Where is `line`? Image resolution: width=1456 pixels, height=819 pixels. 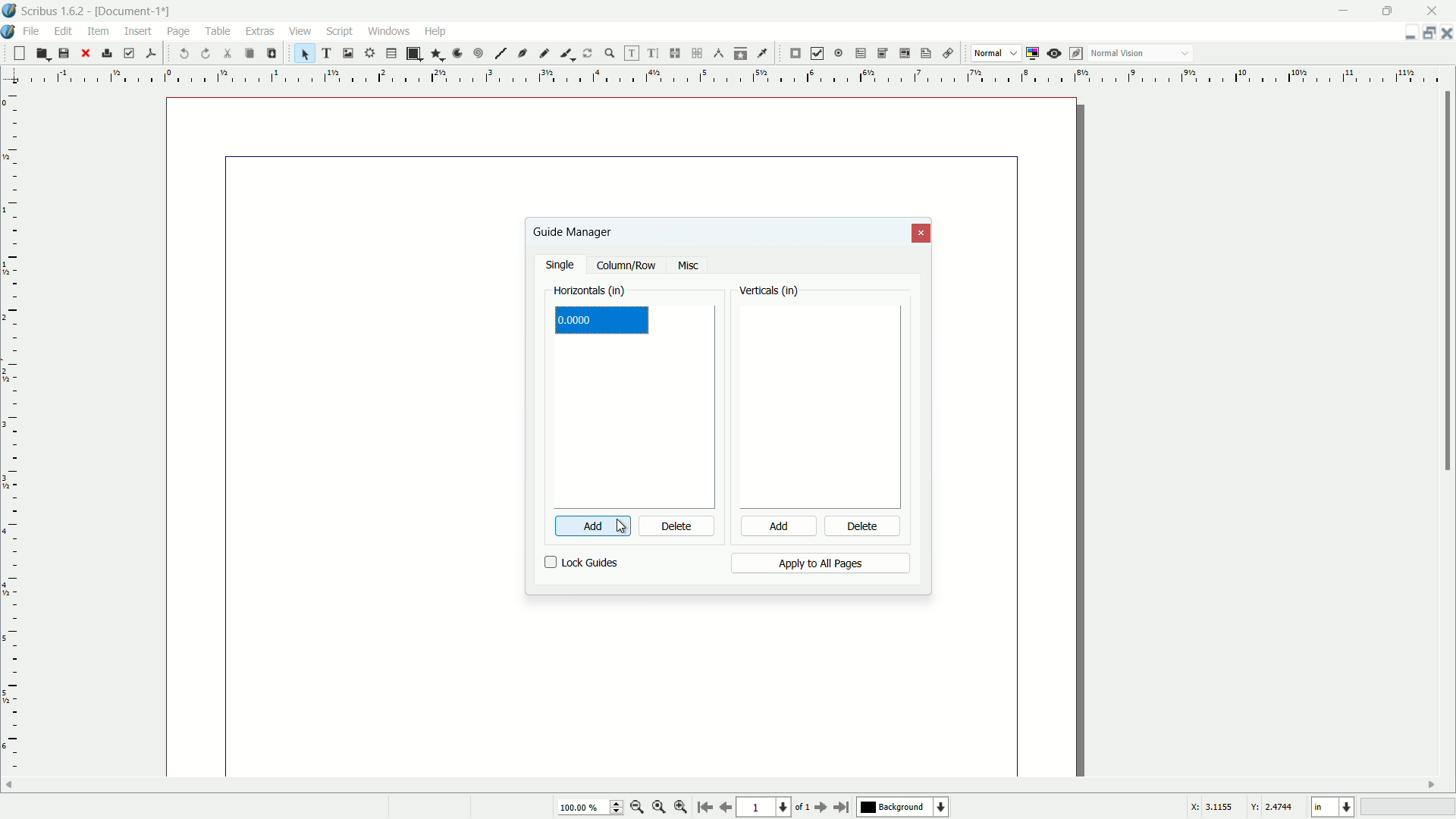 line is located at coordinates (500, 54).